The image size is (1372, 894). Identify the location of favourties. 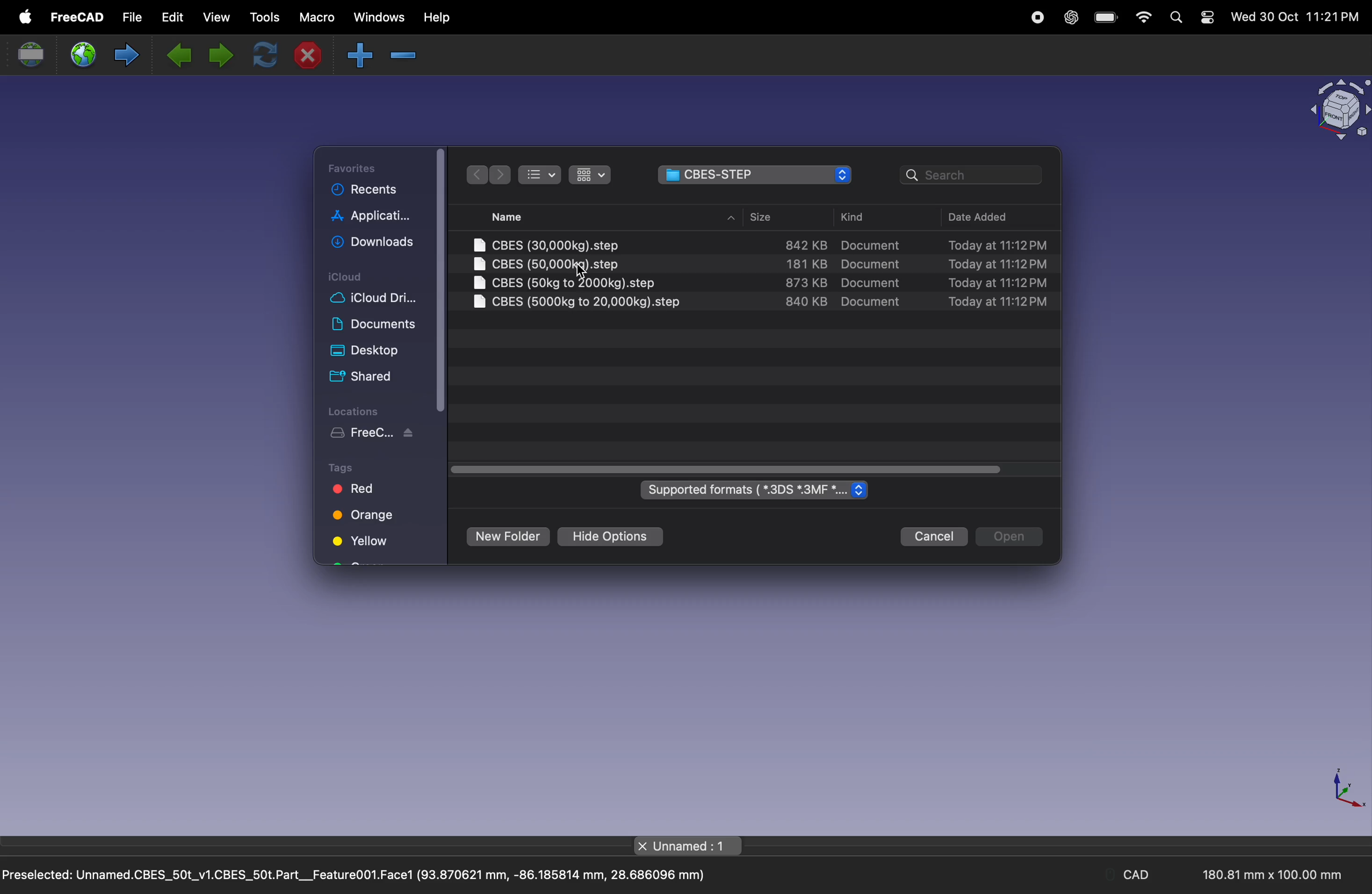
(363, 167).